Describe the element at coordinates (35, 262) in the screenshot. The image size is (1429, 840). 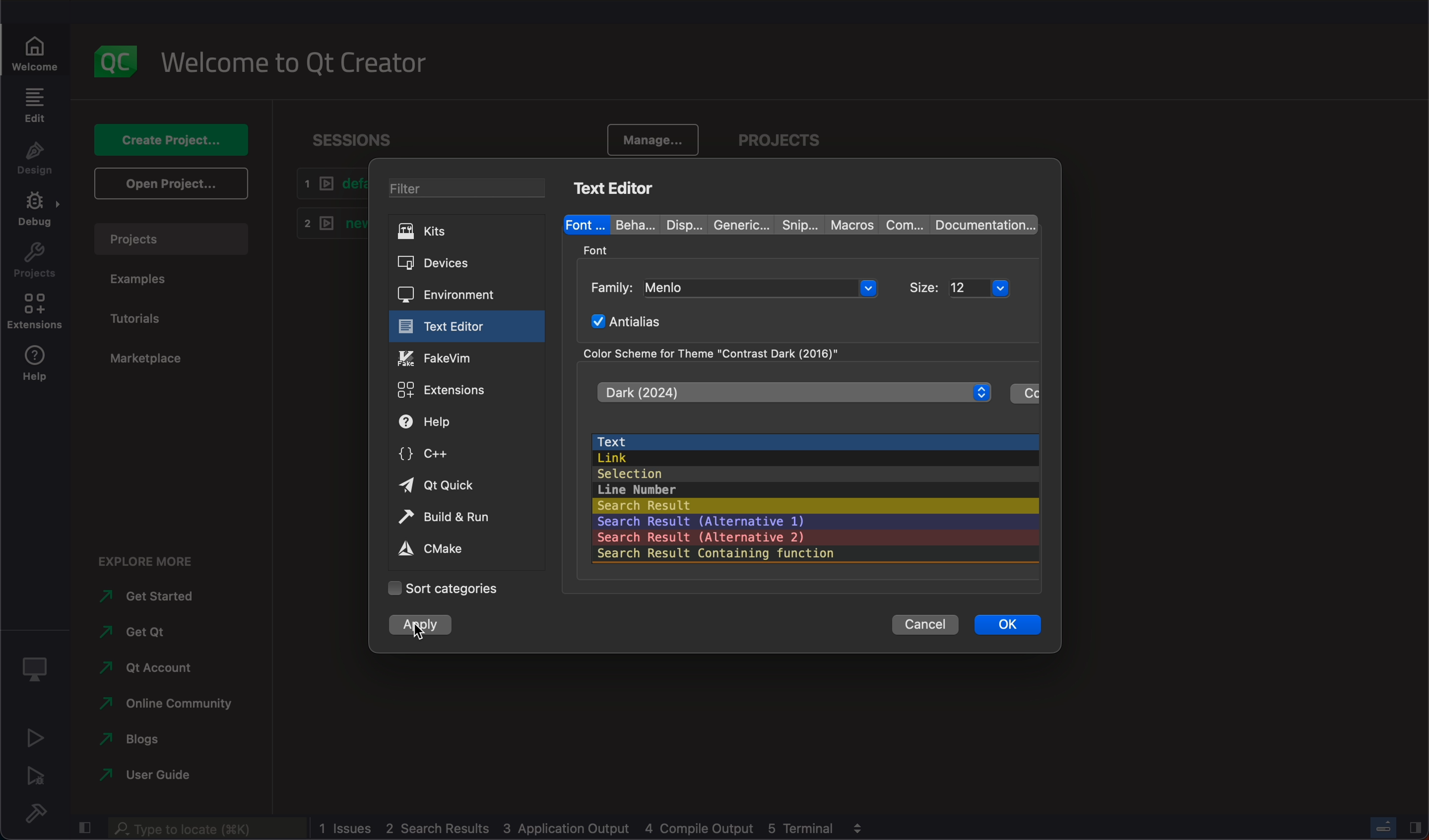
I see `project` at that location.